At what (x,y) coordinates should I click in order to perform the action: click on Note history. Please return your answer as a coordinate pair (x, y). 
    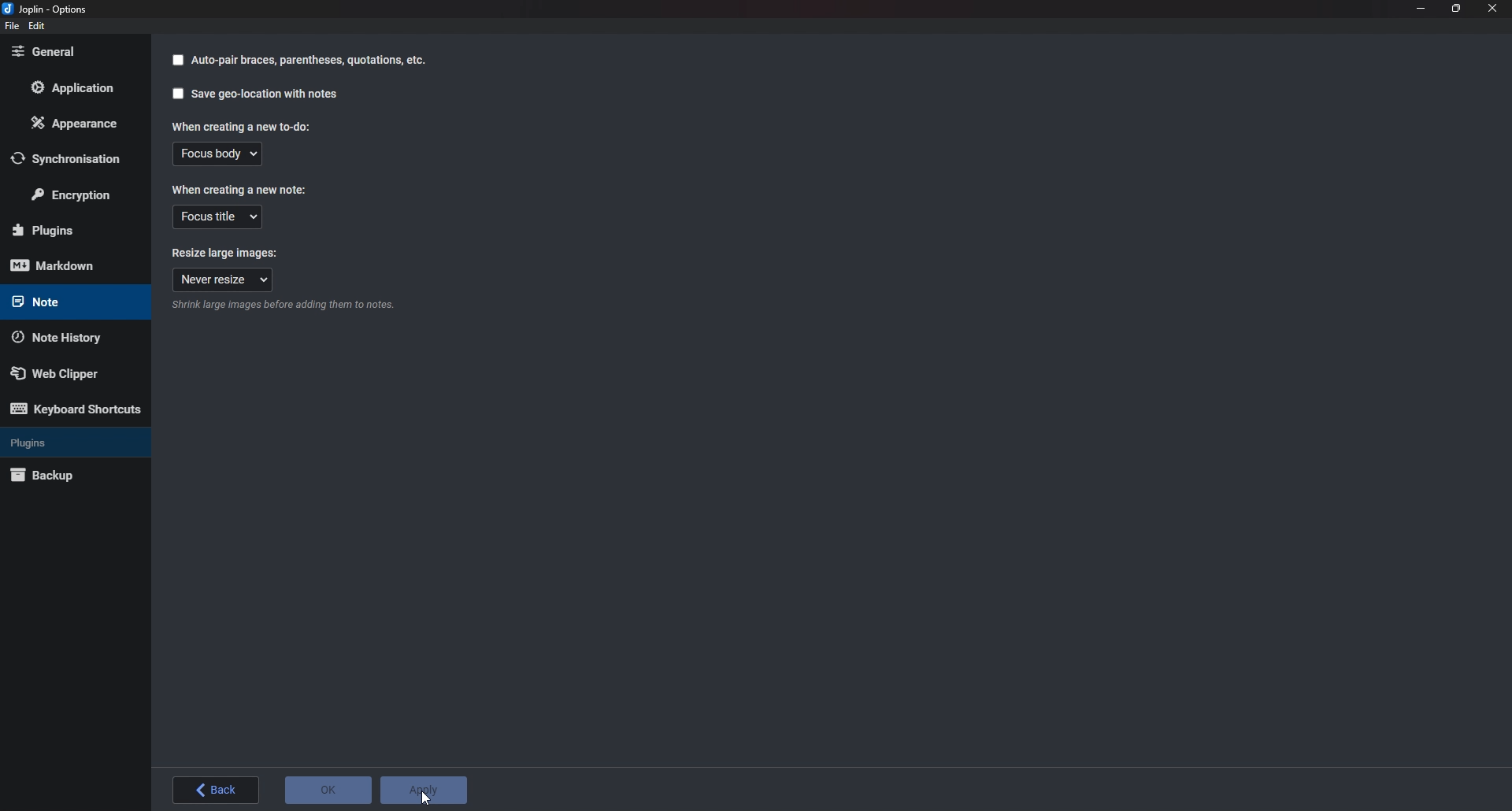
    Looking at the image, I should click on (71, 336).